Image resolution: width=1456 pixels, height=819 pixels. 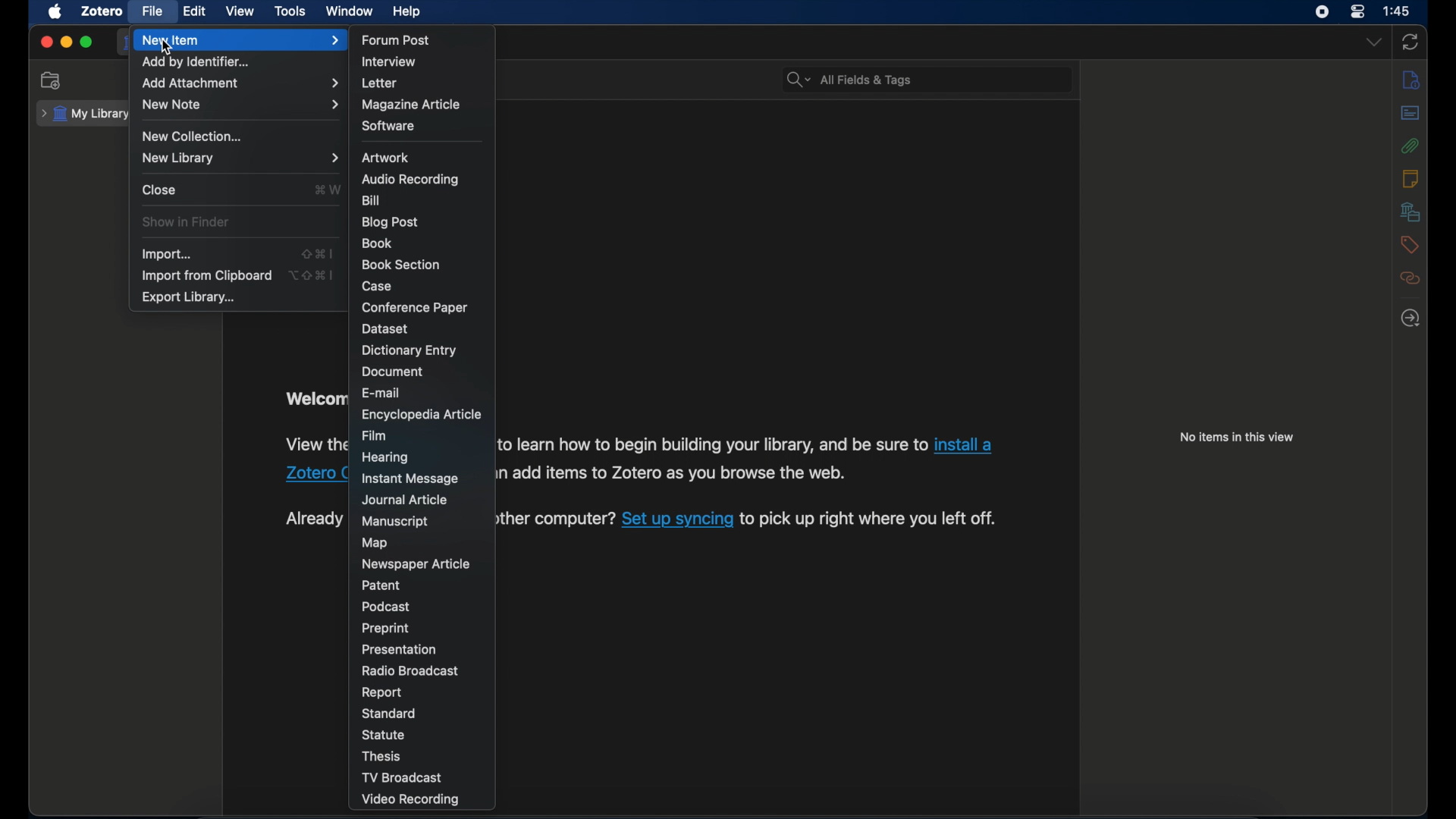 What do you see at coordinates (871, 518) in the screenshot?
I see `to pick up right where you left off.` at bounding box center [871, 518].